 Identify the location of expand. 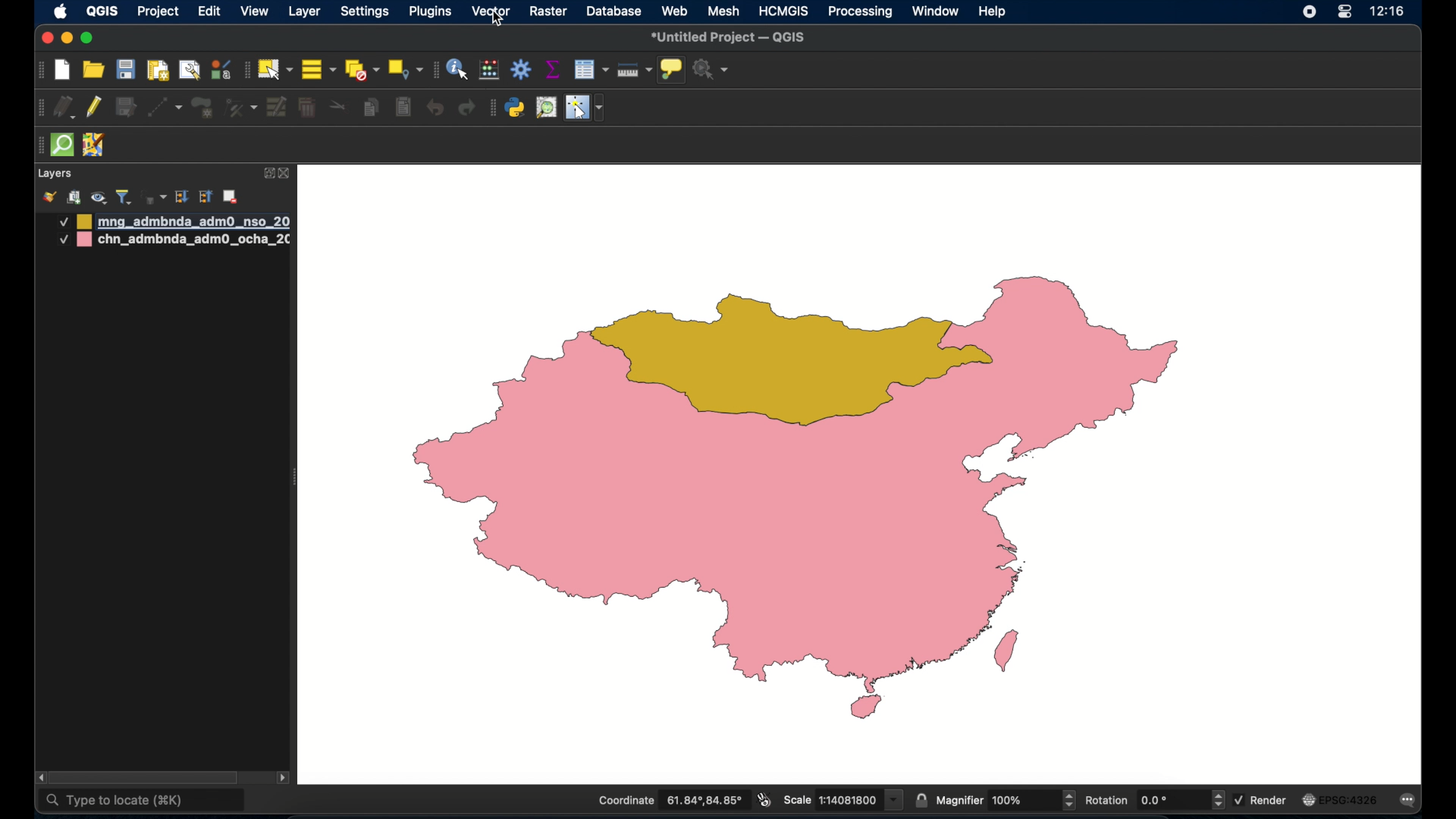
(268, 172).